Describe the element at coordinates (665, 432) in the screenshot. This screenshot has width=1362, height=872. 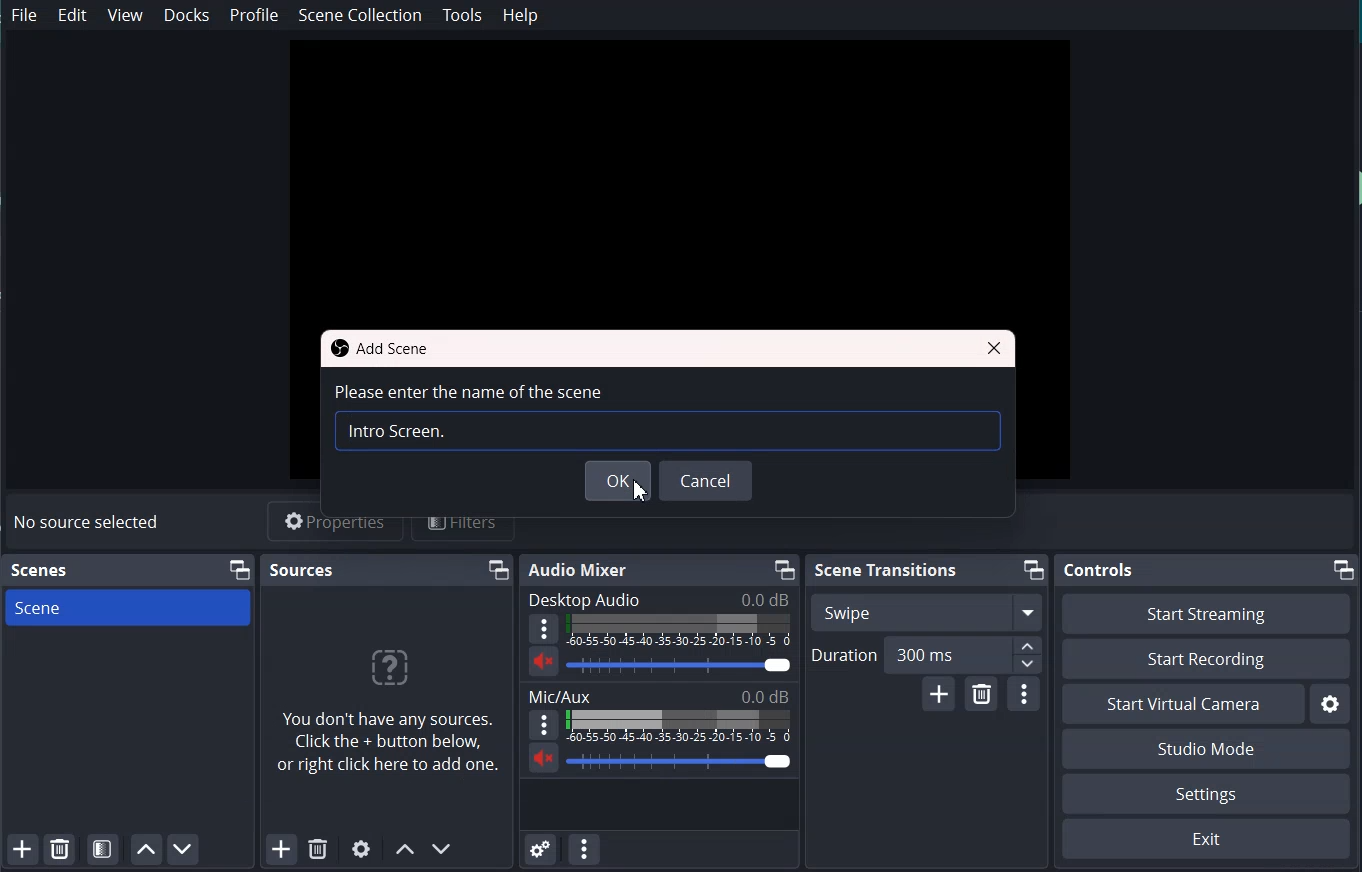
I see `Typing window` at that location.